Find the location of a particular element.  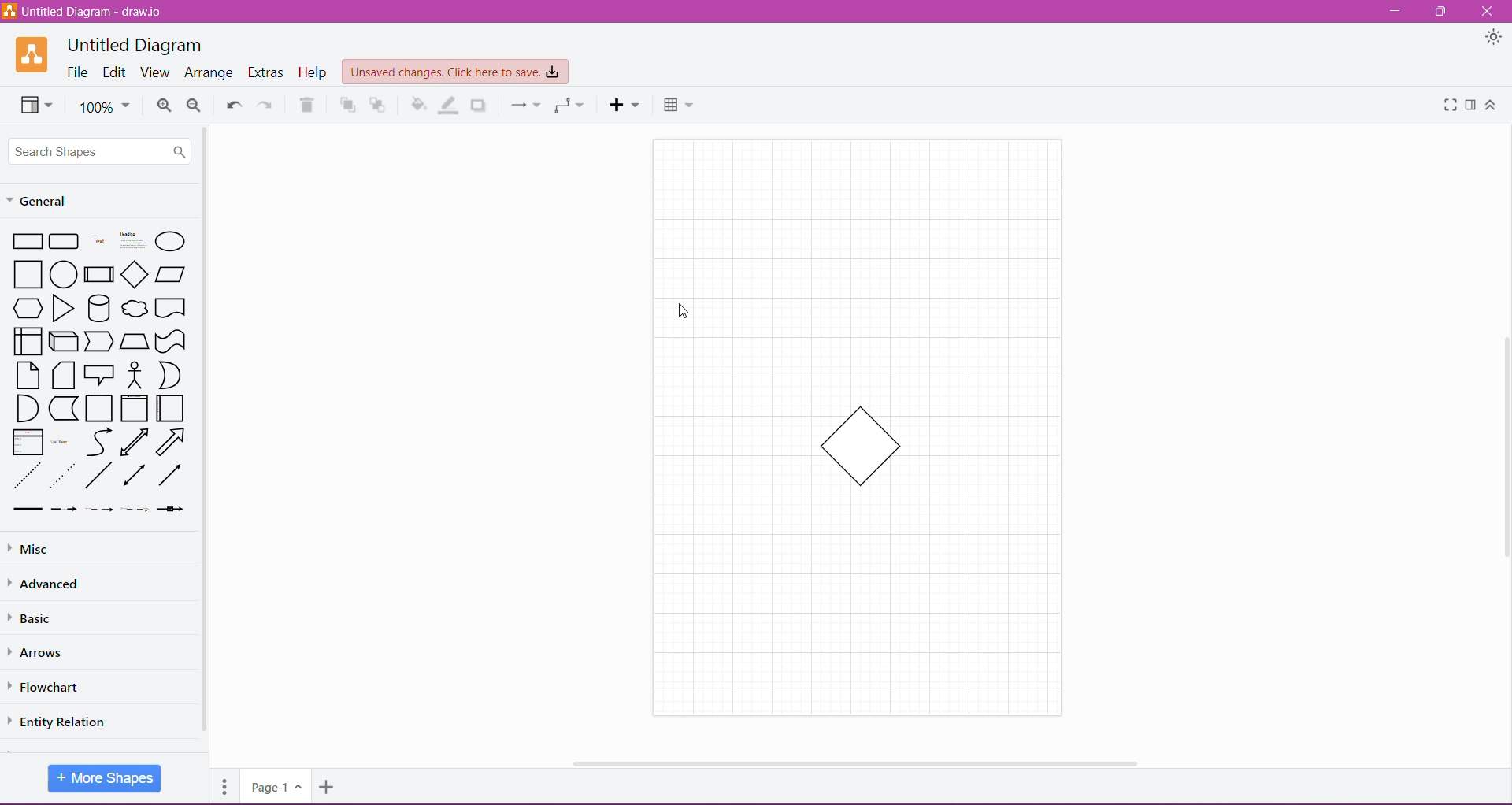

Fill Color is located at coordinates (418, 103).